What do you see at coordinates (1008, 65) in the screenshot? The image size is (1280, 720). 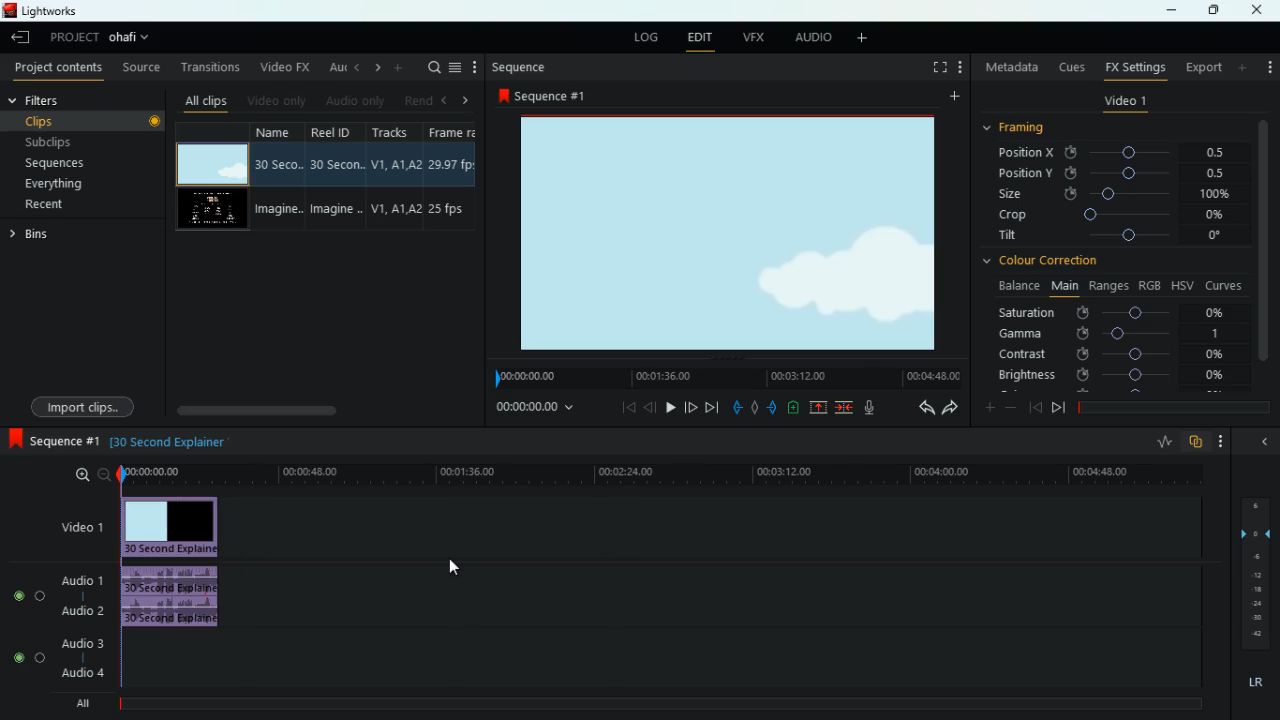 I see `metadata` at bounding box center [1008, 65].